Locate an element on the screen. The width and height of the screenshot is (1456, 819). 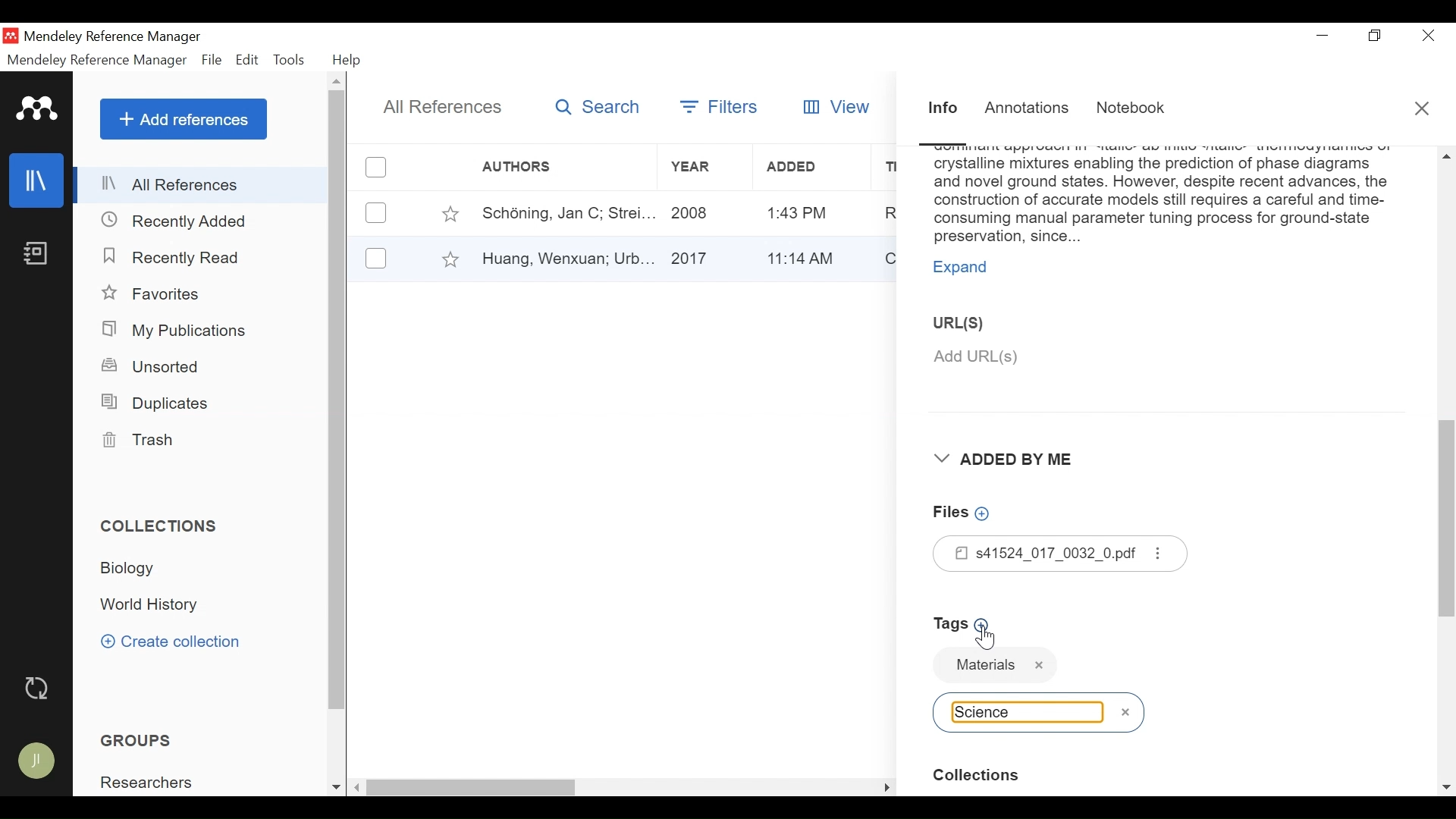
Favorites is located at coordinates (156, 294).